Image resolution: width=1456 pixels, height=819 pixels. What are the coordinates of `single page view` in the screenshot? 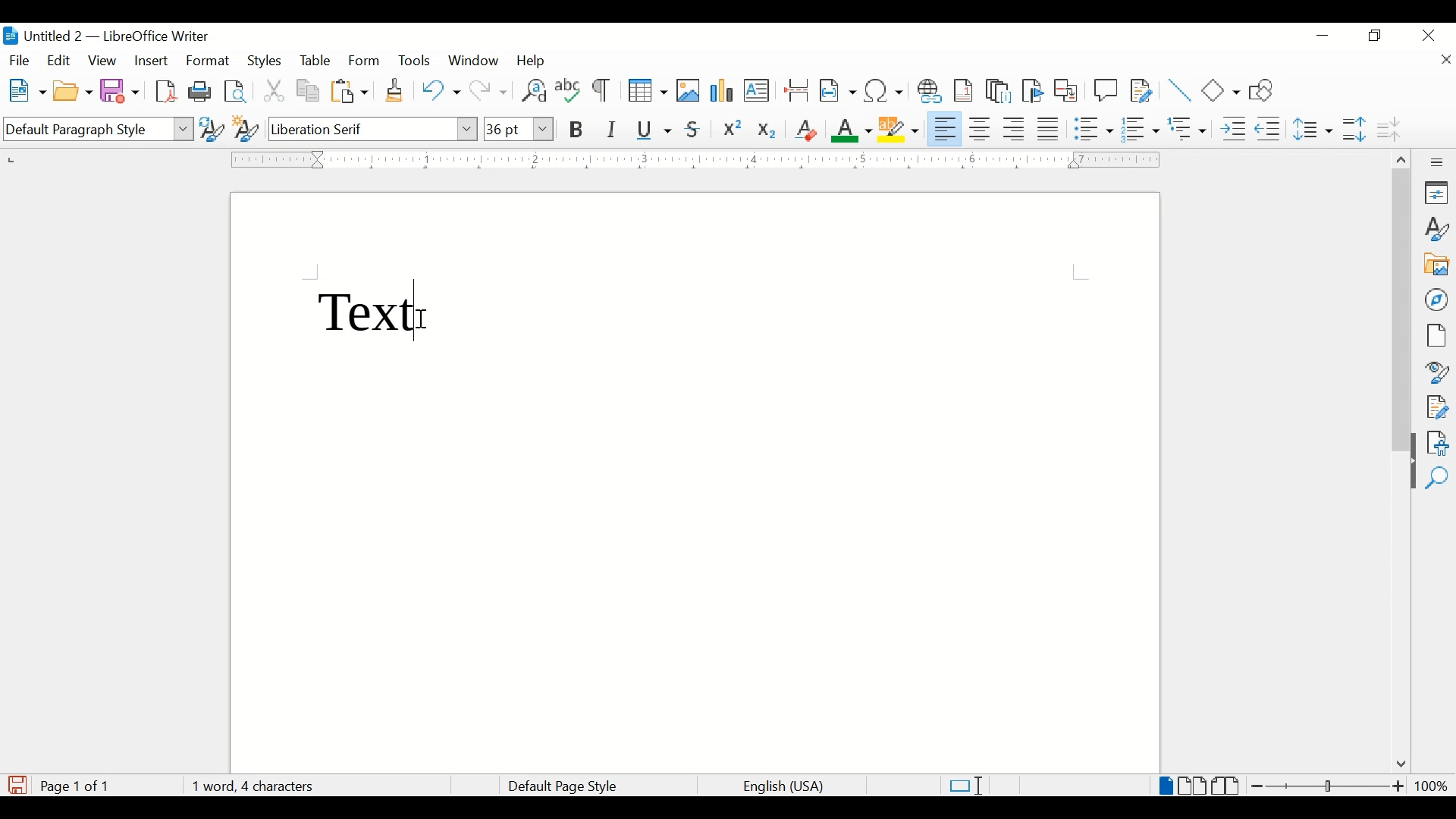 It's located at (1166, 786).